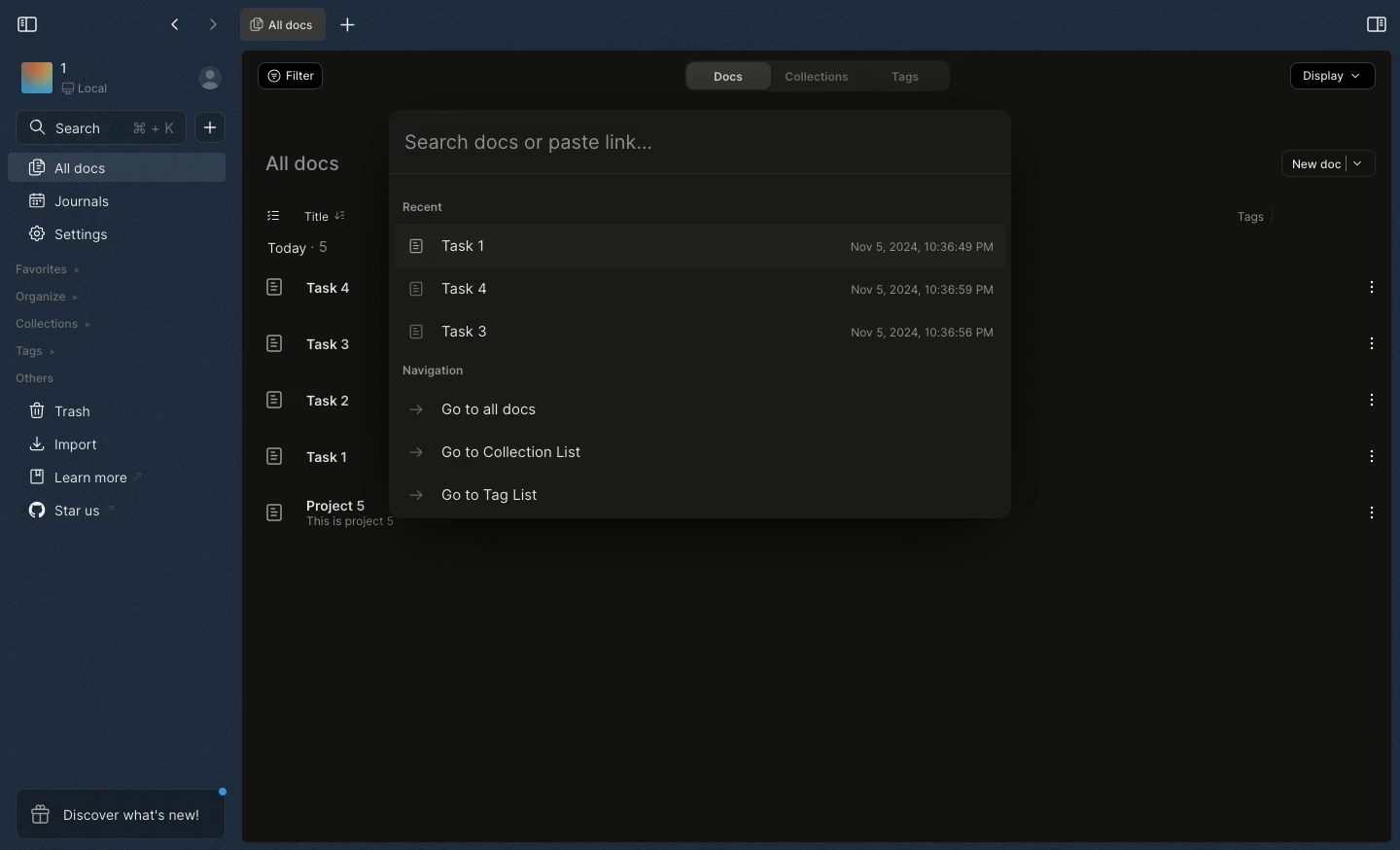 This screenshot has width=1400, height=850. What do you see at coordinates (65, 510) in the screenshot?
I see `Star us` at bounding box center [65, 510].